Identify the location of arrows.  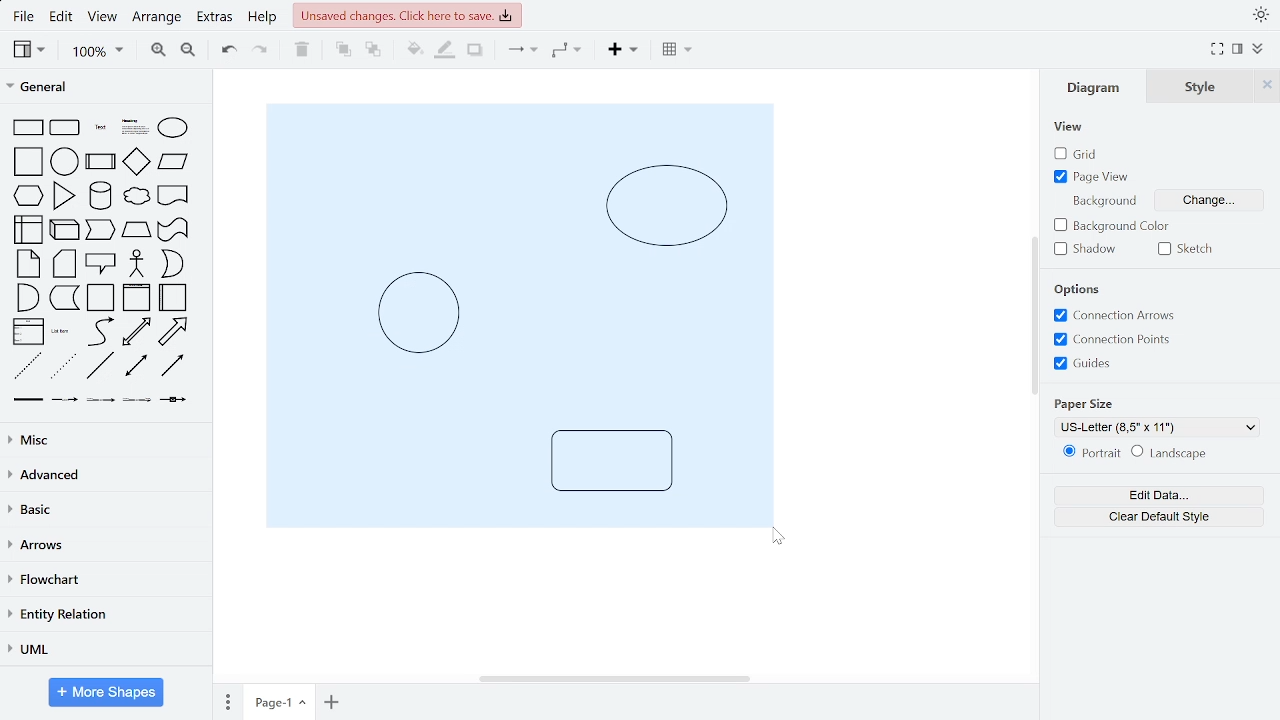
(103, 546).